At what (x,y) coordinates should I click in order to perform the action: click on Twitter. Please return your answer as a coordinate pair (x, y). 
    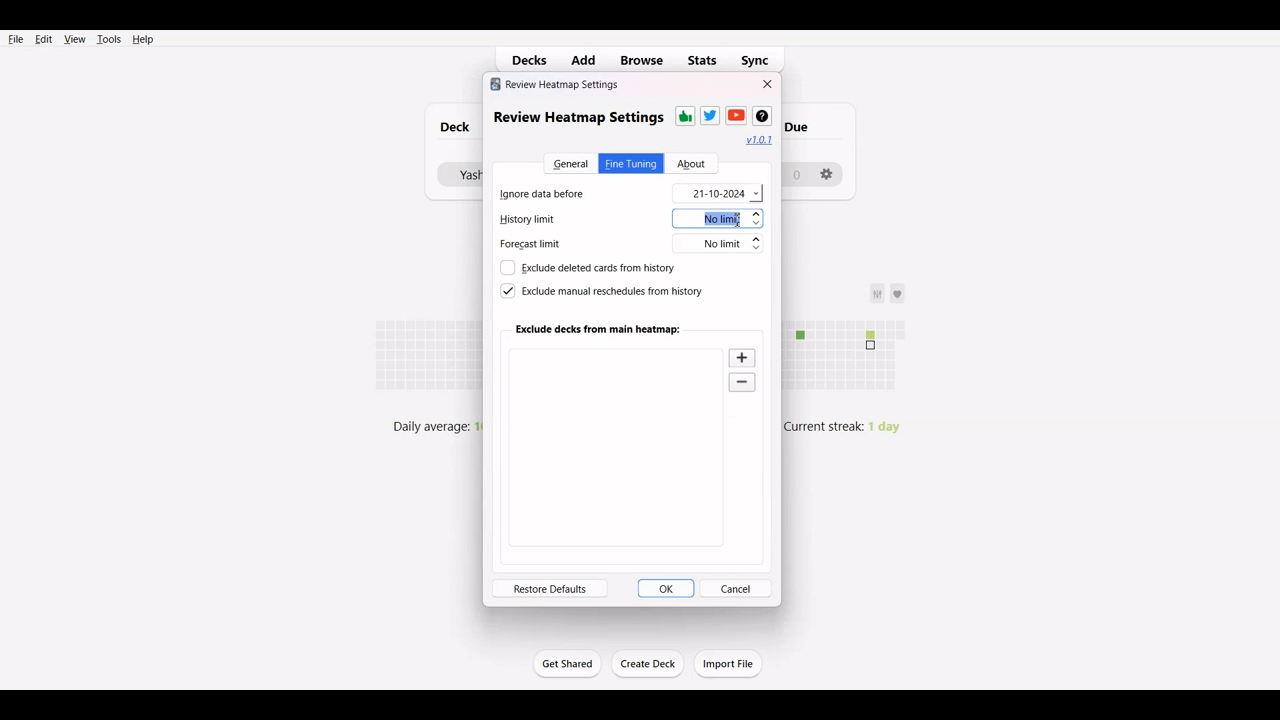
    Looking at the image, I should click on (710, 115).